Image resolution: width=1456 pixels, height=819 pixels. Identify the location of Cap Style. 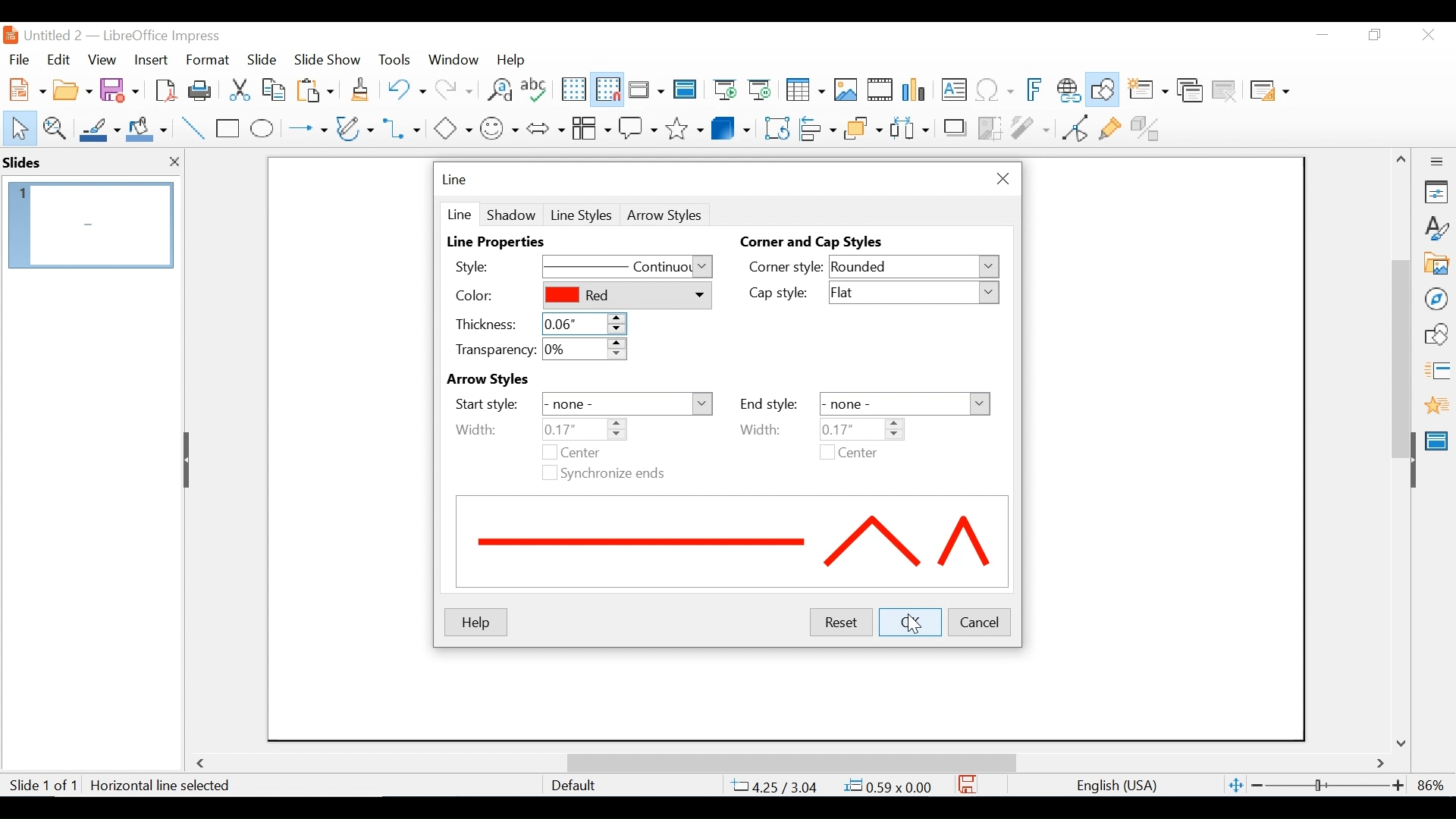
(784, 294).